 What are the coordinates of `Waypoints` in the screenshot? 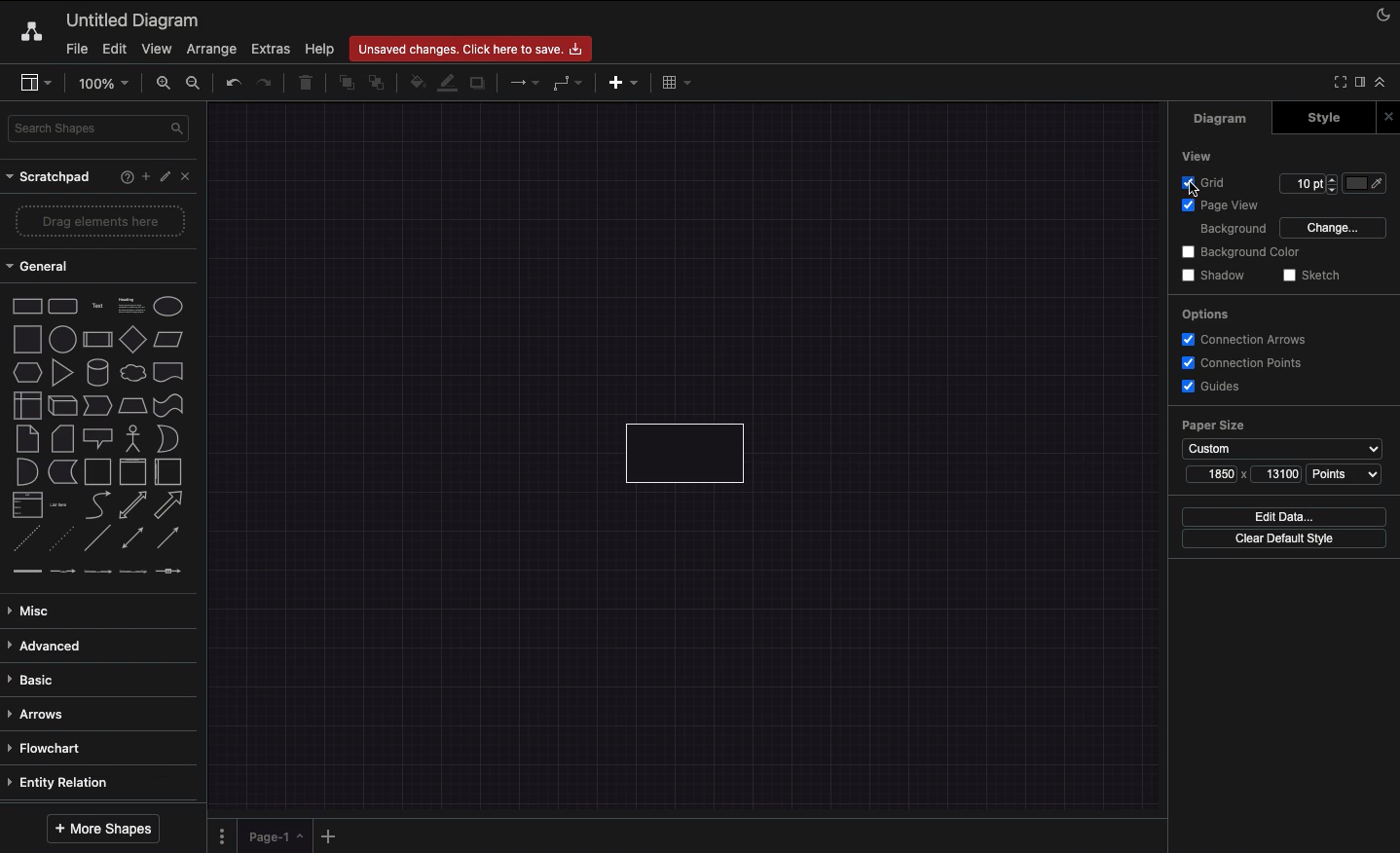 It's located at (570, 85).